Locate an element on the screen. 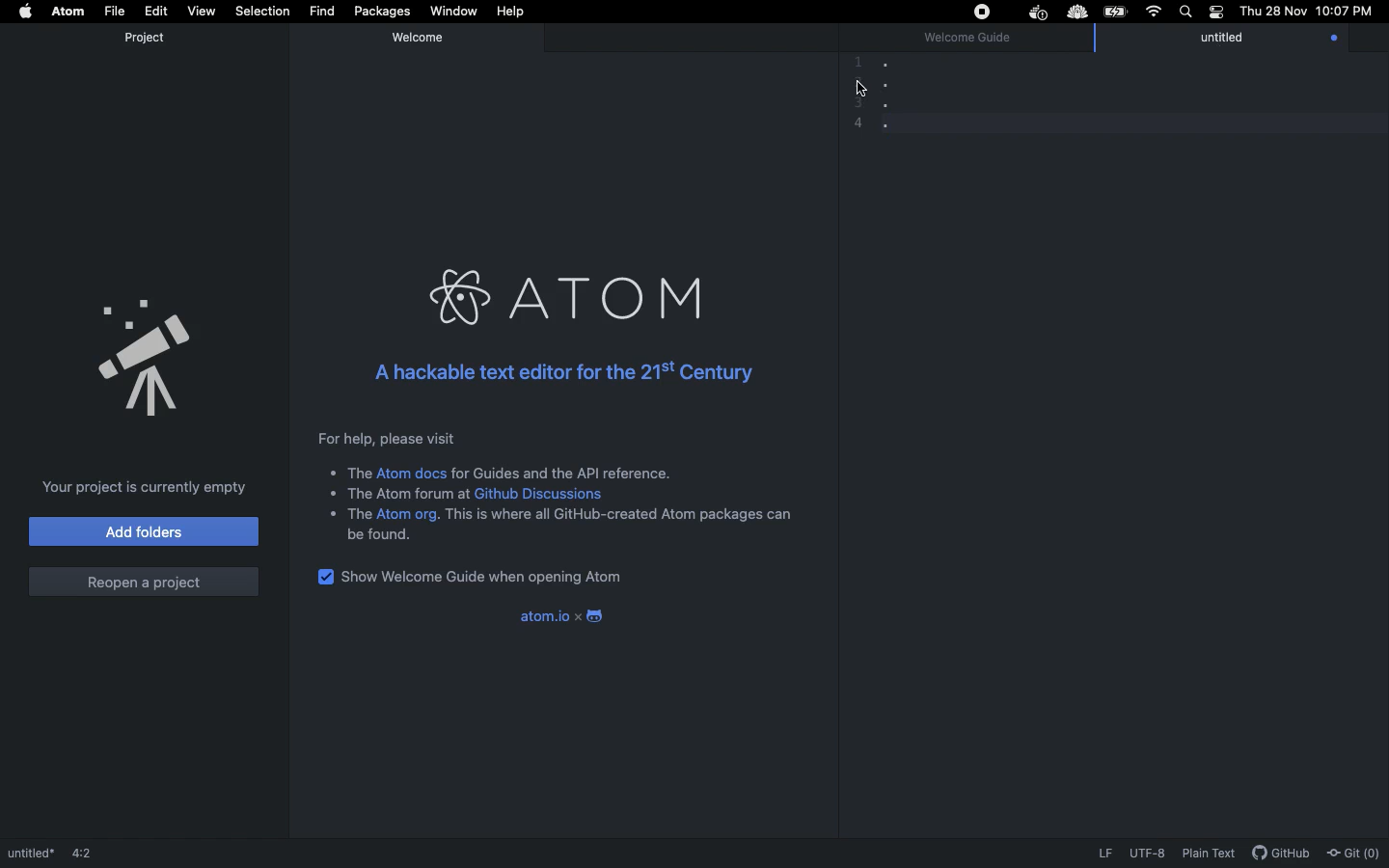  Search is located at coordinates (1184, 12).